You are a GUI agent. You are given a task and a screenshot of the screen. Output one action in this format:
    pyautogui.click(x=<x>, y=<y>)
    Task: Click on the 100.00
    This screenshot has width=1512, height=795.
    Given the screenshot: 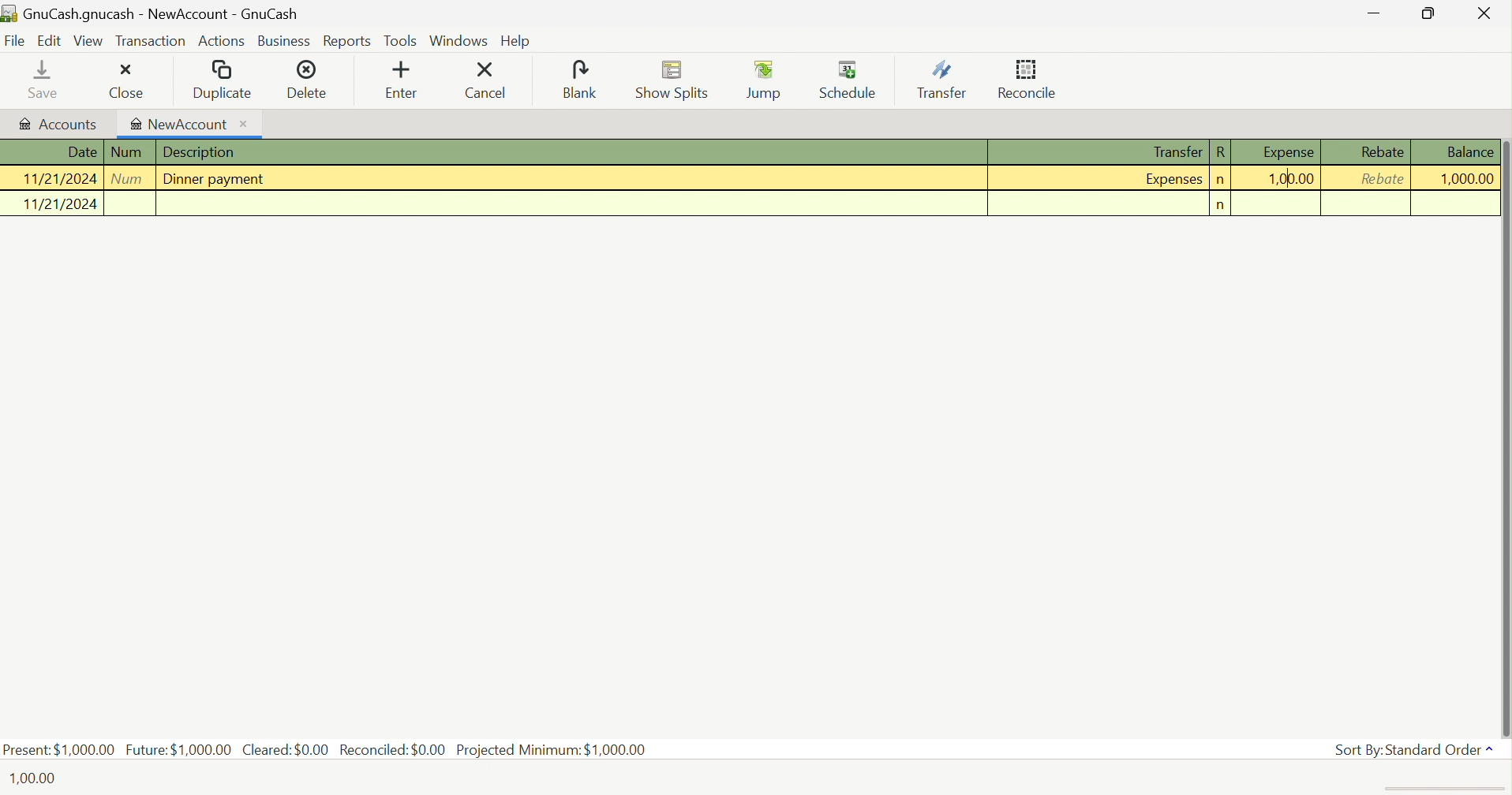 What is the action you would take?
    pyautogui.click(x=36, y=779)
    